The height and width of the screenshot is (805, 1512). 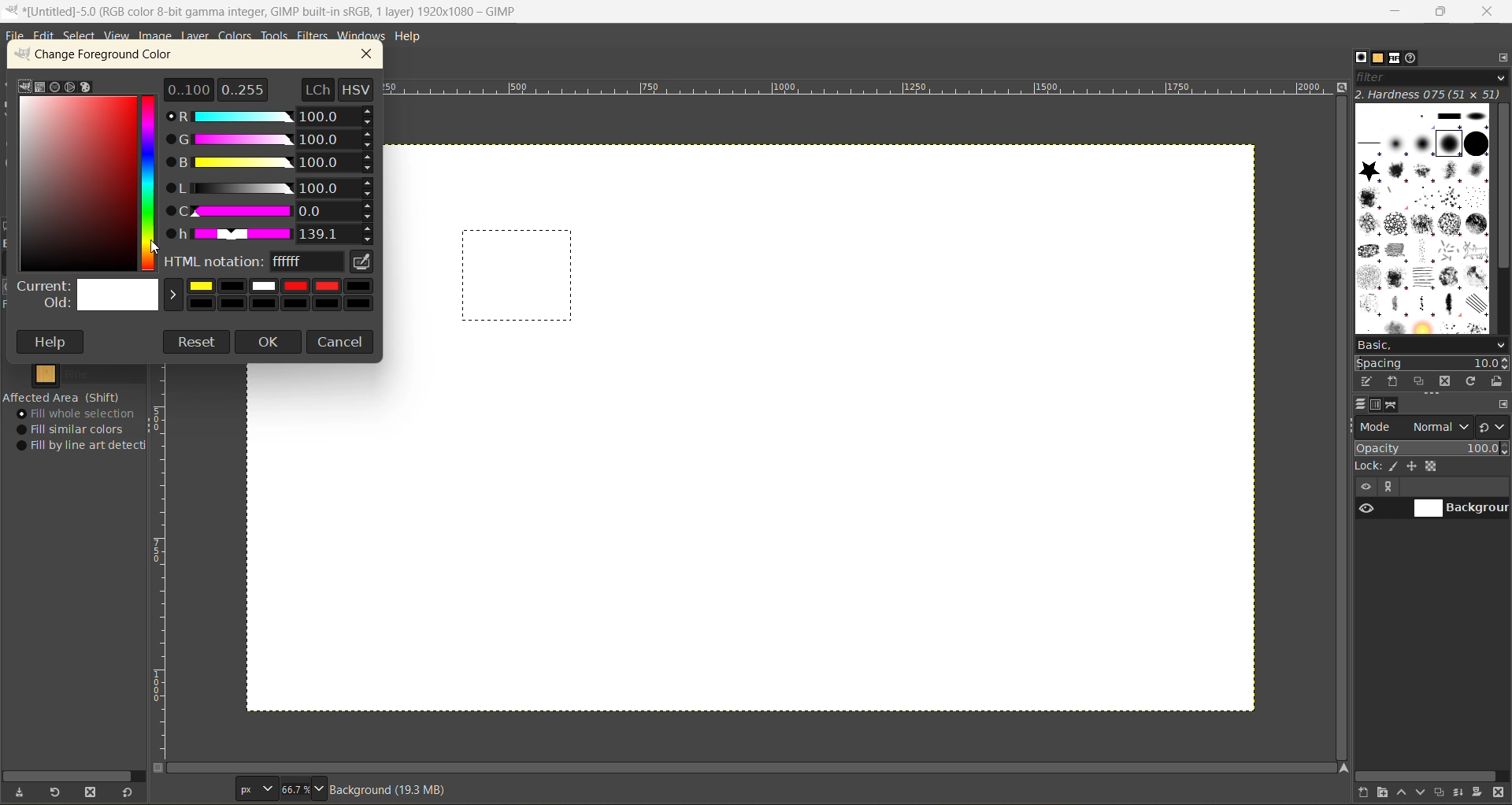 I want to click on basic, so click(x=1432, y=344).